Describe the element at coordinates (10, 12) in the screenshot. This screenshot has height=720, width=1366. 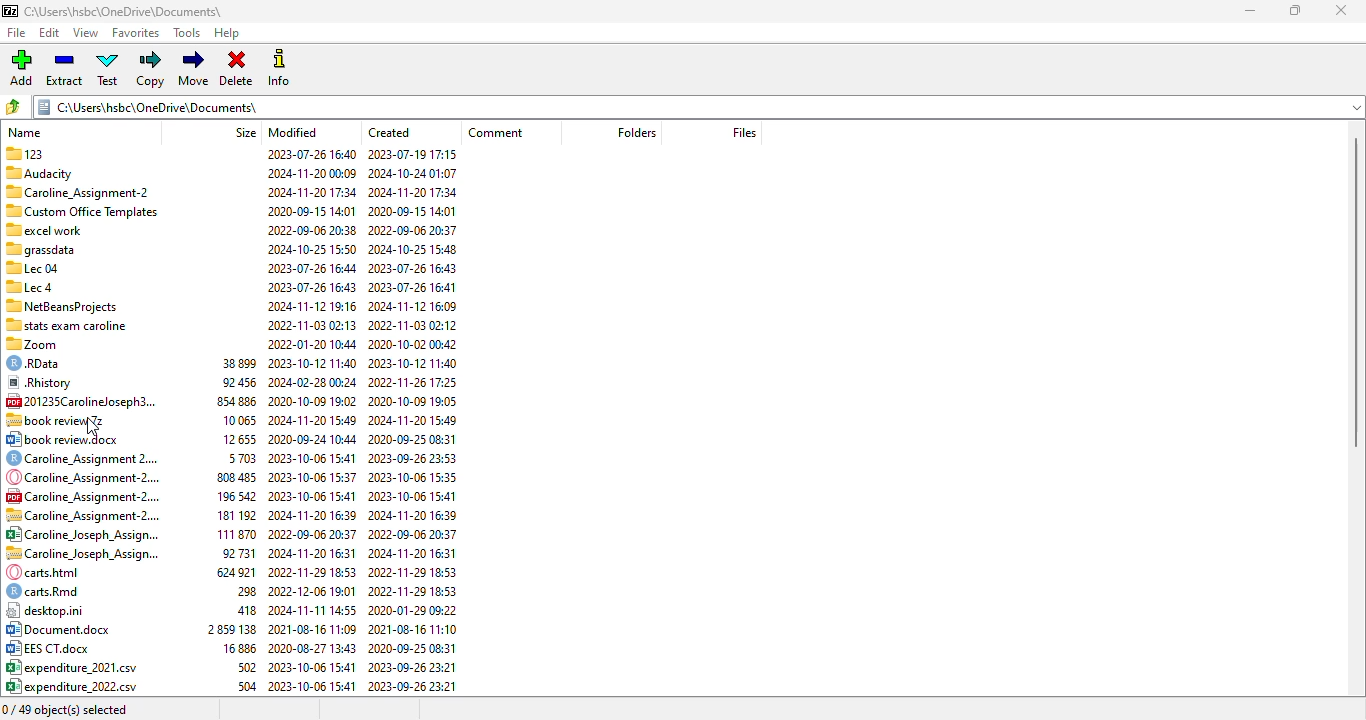
I see `logo` at that location.